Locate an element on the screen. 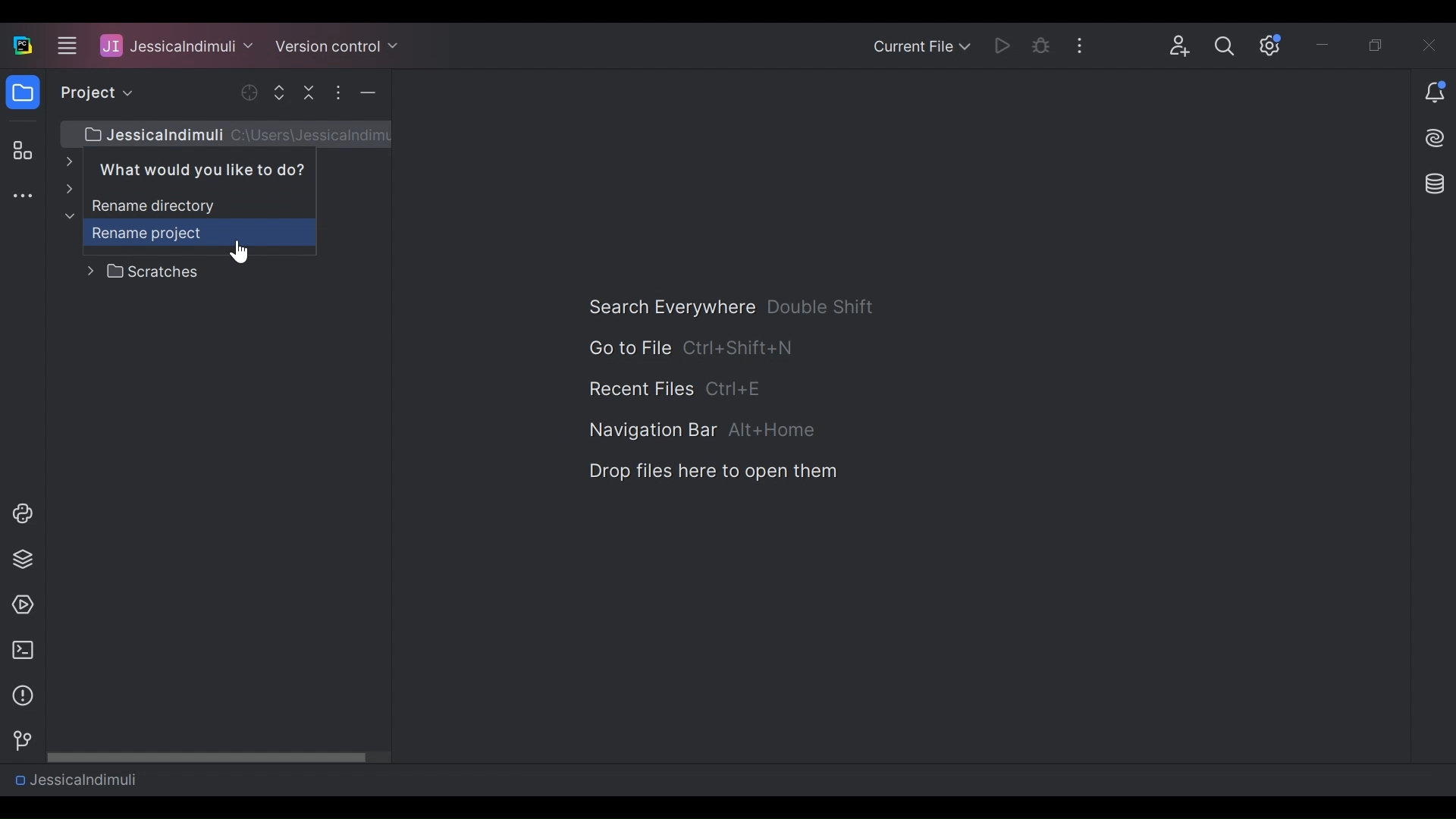  Drop Files here to open them is located at coordinates (711, 472).